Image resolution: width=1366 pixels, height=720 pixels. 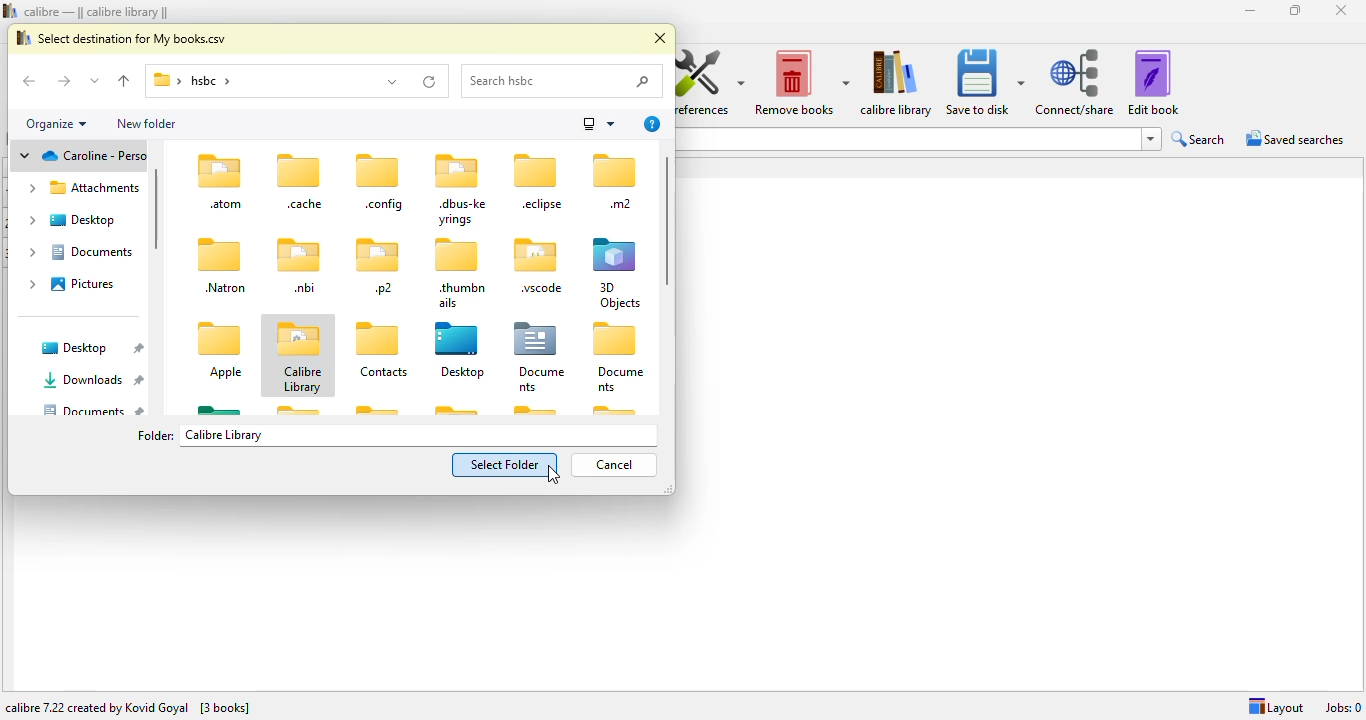 What do you see at coordinates (227, 707) in the screenshot?
I see `[3 books]` at bounding box center [227, 707].